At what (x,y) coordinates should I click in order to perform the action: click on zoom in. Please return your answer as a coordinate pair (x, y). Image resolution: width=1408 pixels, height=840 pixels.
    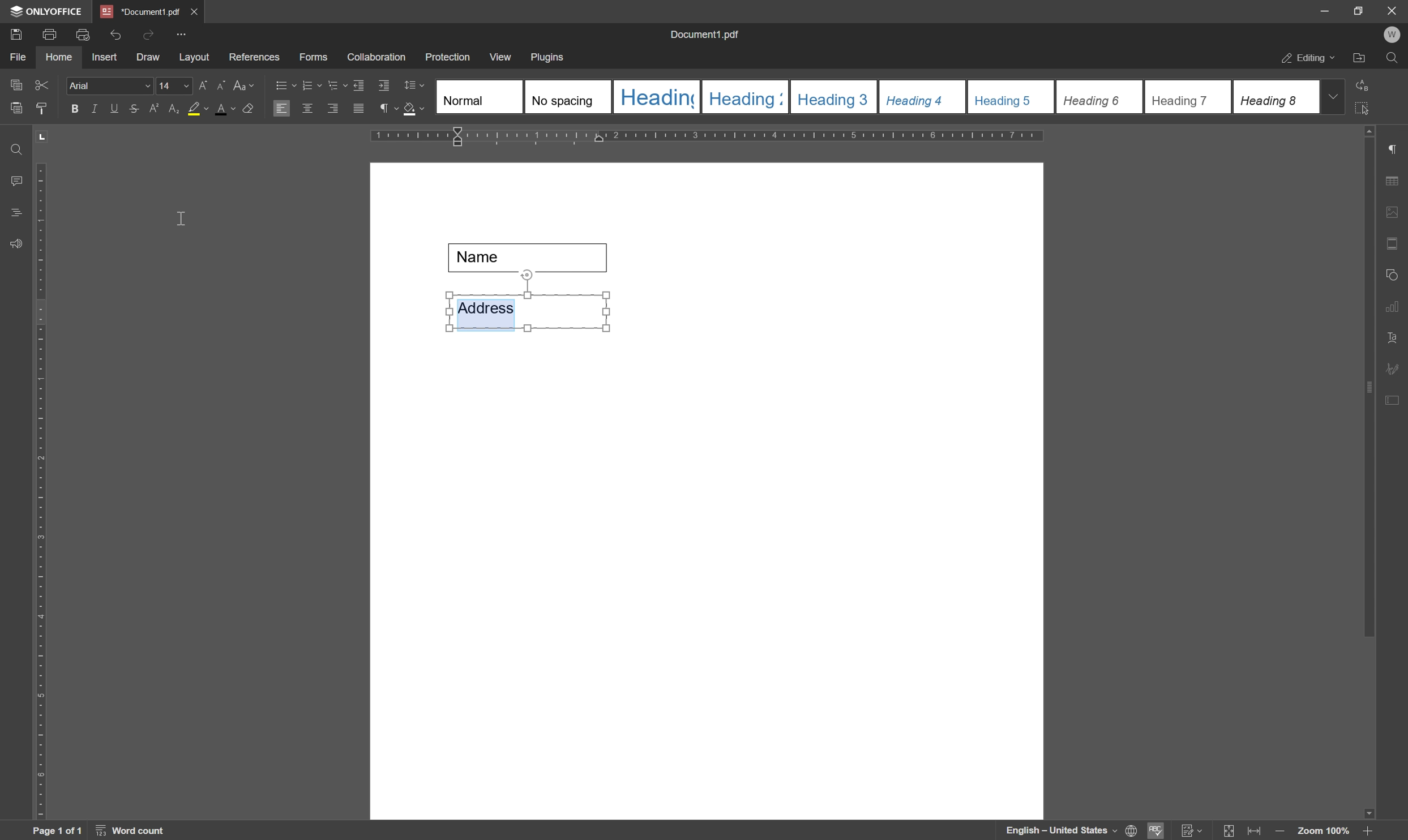
    Looking at the image, I should click on (1366, 831).